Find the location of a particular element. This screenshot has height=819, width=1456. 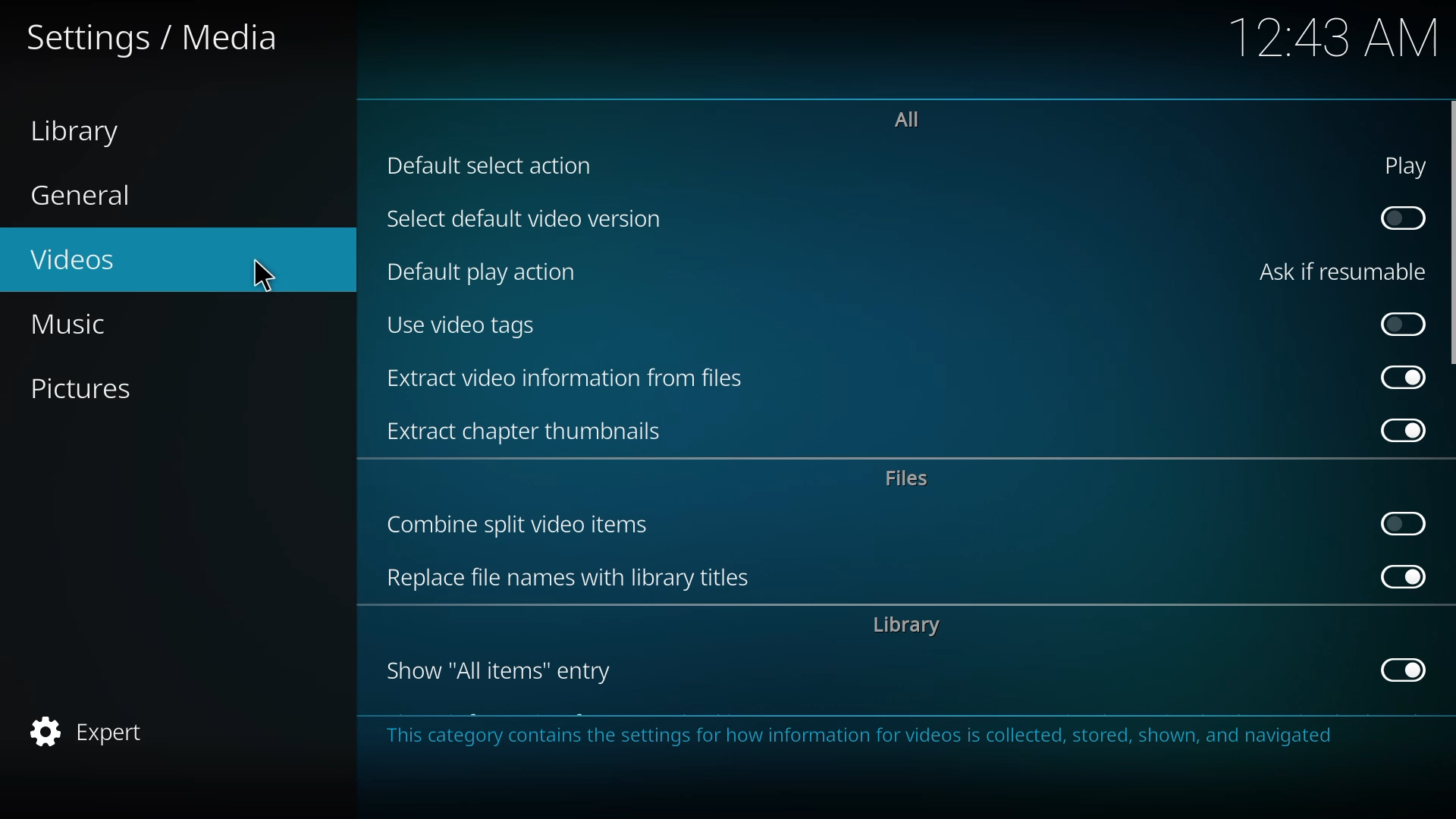

settings media is located at coordinates (161, 39).